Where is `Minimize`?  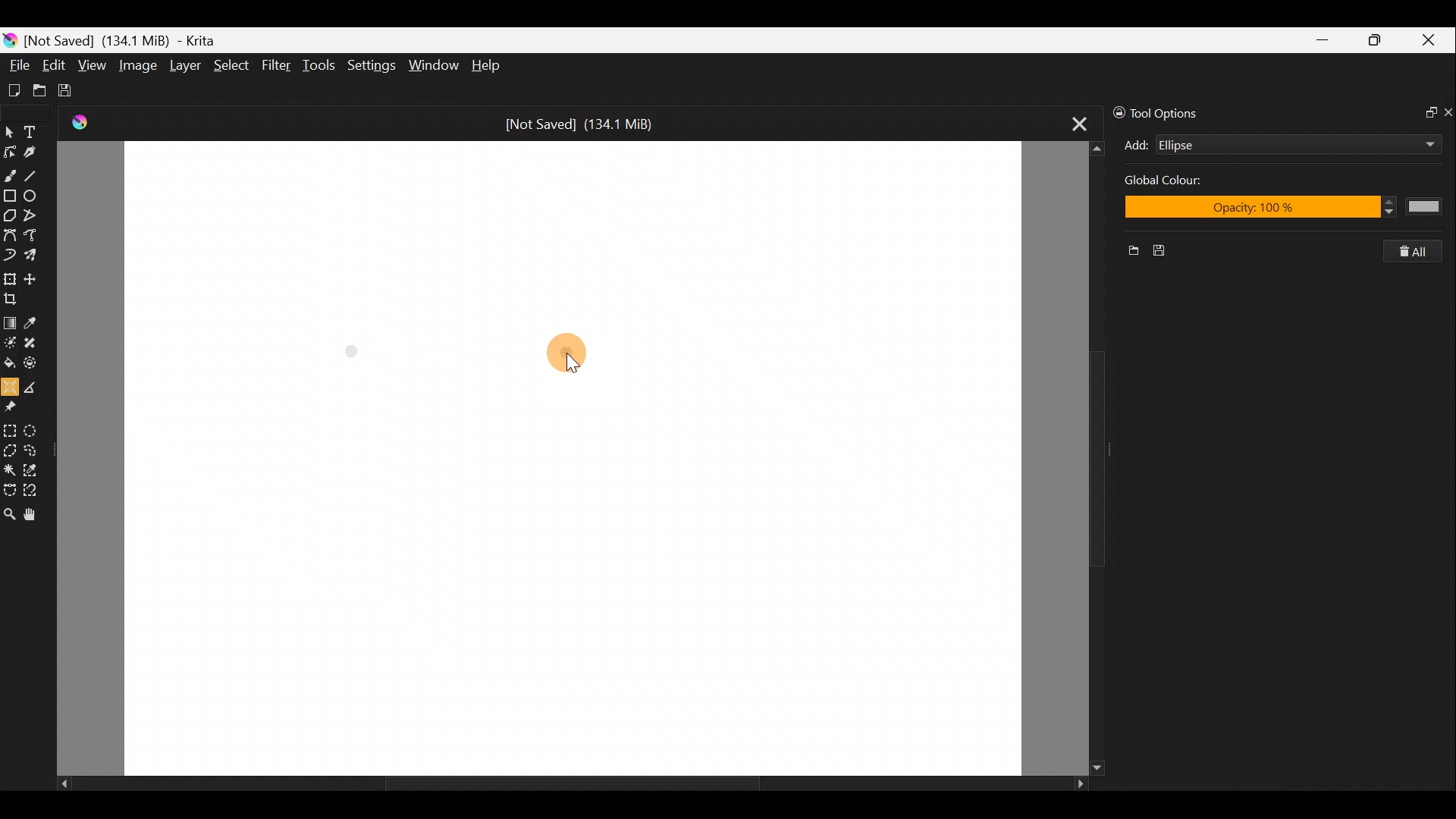
Minimize is located at coordinates (1324, 39).